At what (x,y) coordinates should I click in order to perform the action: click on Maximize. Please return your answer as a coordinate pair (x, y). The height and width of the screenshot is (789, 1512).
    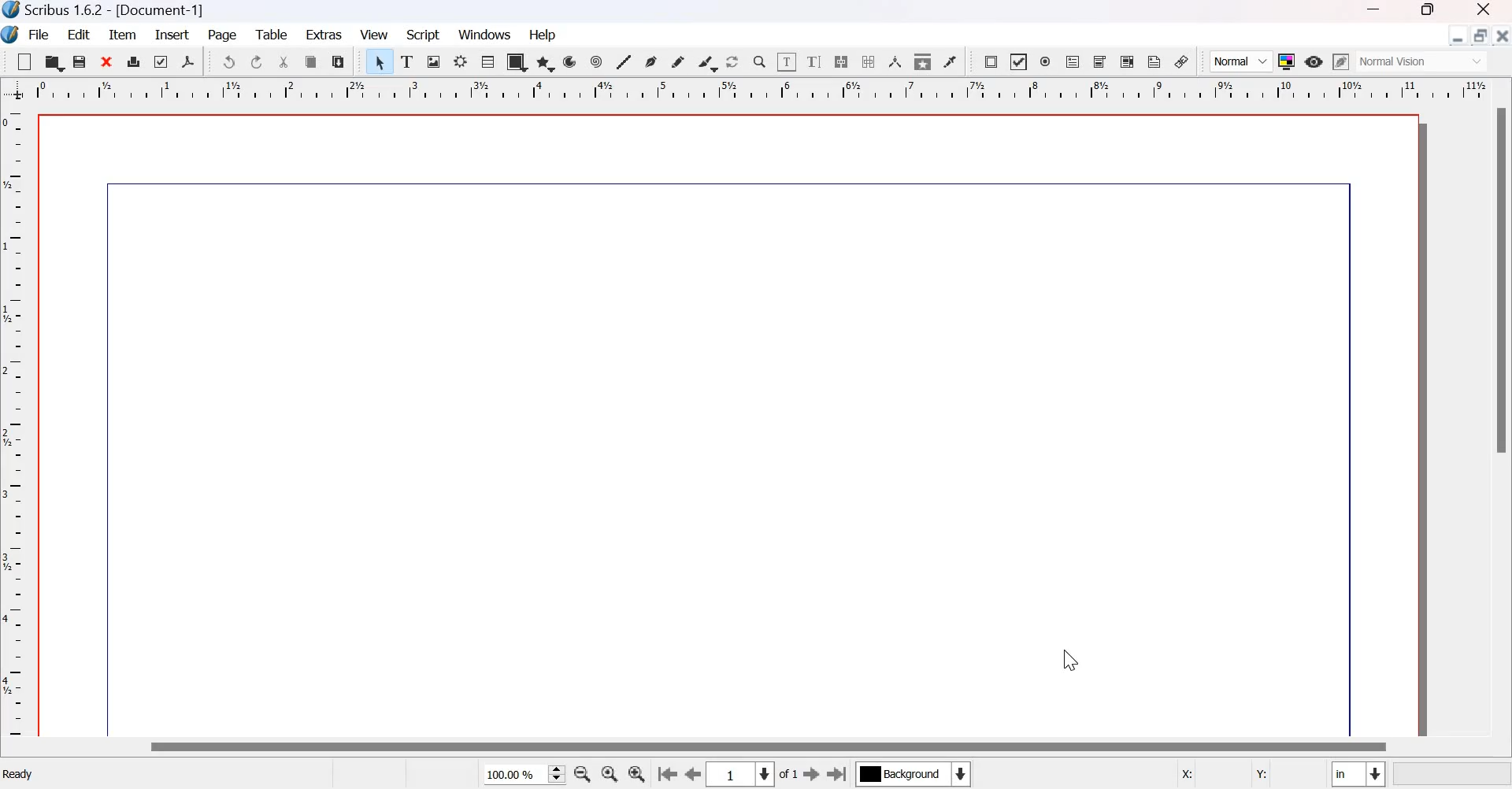
    Looking at the image, I should click on (1481, 37).